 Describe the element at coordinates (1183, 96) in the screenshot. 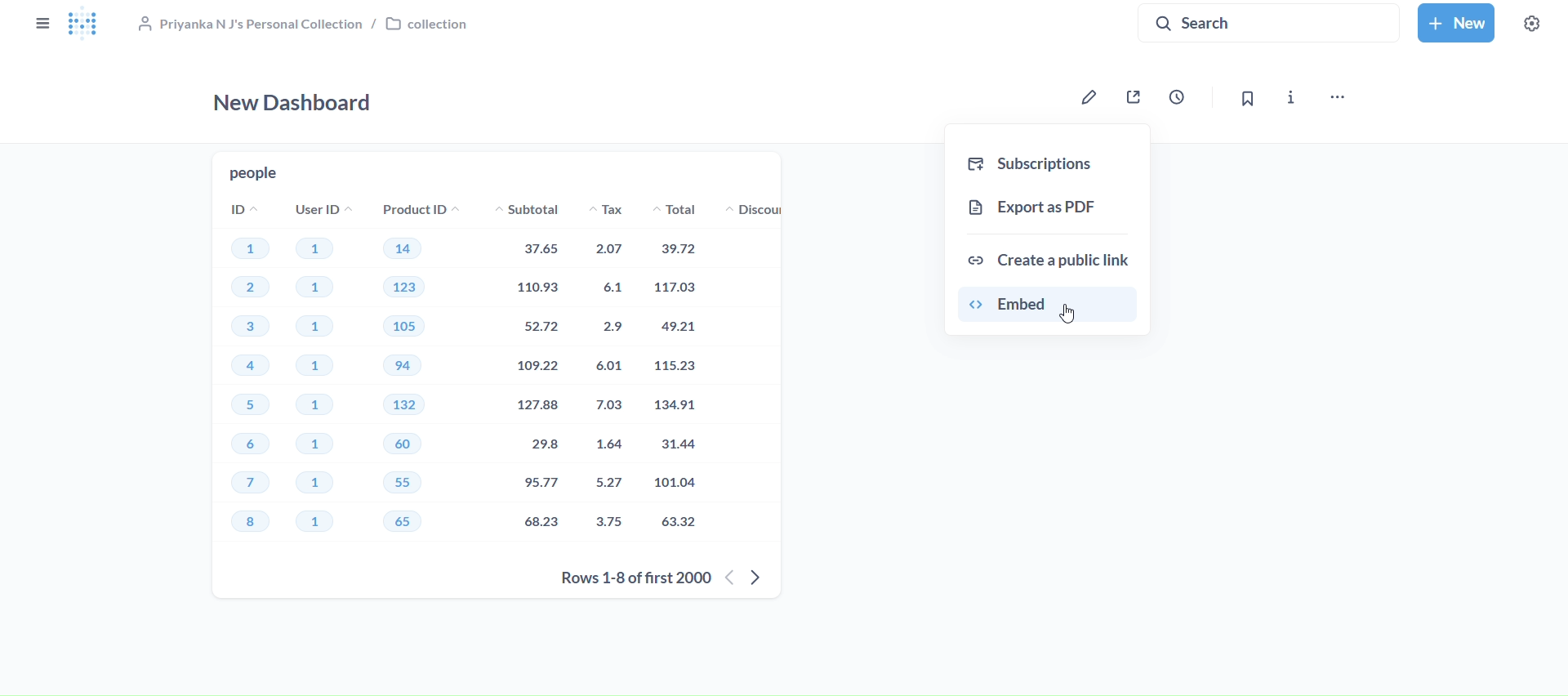

I see `auto-refresh` at that location.